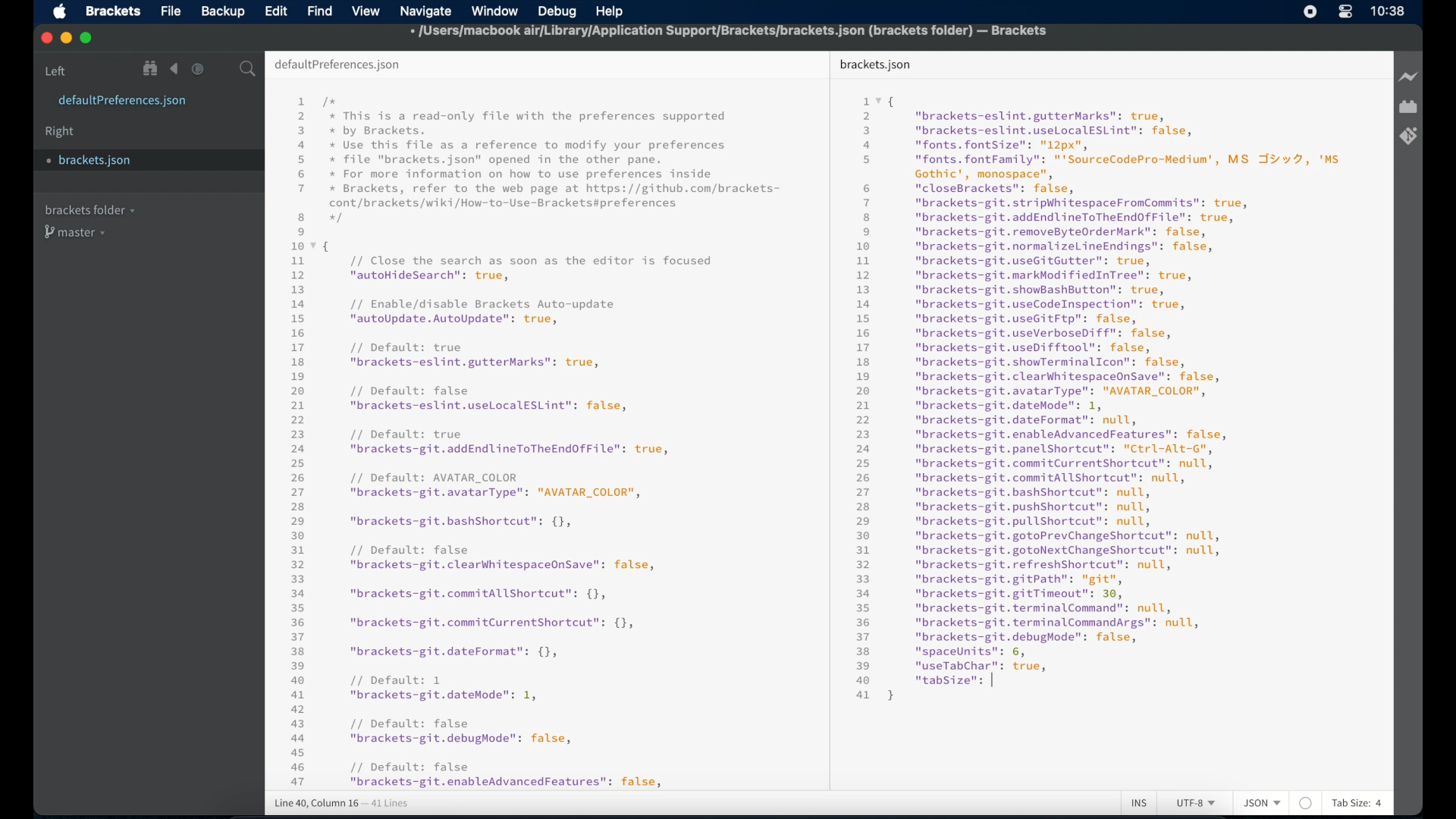 Image resolution: width=1456 pixels, height=819 pixels. Describe the element at coordinates (1357, 802) in the screenshot. I see `tab size: 4` at that location.